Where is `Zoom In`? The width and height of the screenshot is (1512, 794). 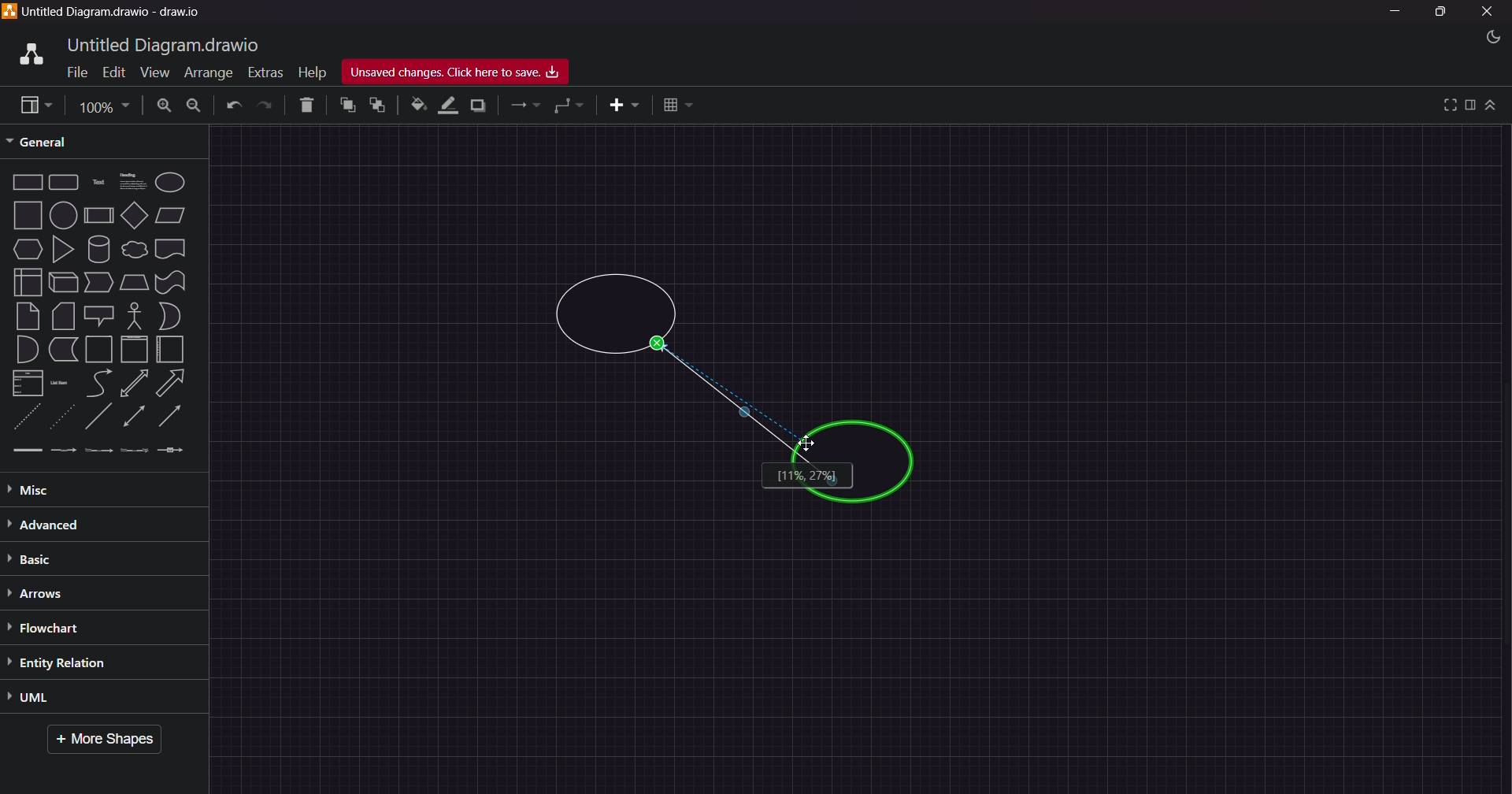 Zoom In is located at coordinates (165, 105).